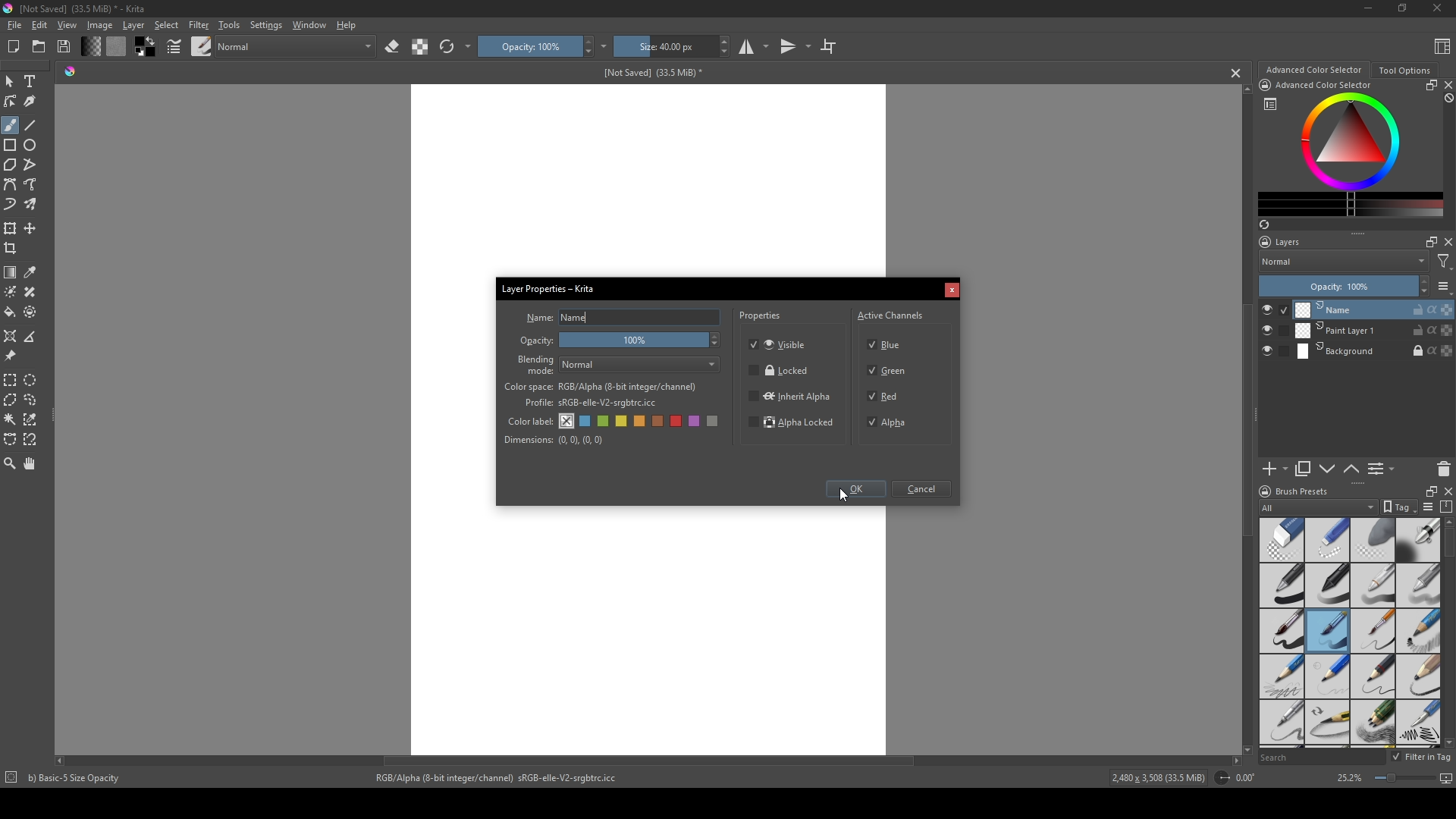 The height and width of the screenshot is (819, 1456). What do you see at coordinates (1244, 748) in the screenshot?
I see `scroll down` at bounding box center [1244, 748].